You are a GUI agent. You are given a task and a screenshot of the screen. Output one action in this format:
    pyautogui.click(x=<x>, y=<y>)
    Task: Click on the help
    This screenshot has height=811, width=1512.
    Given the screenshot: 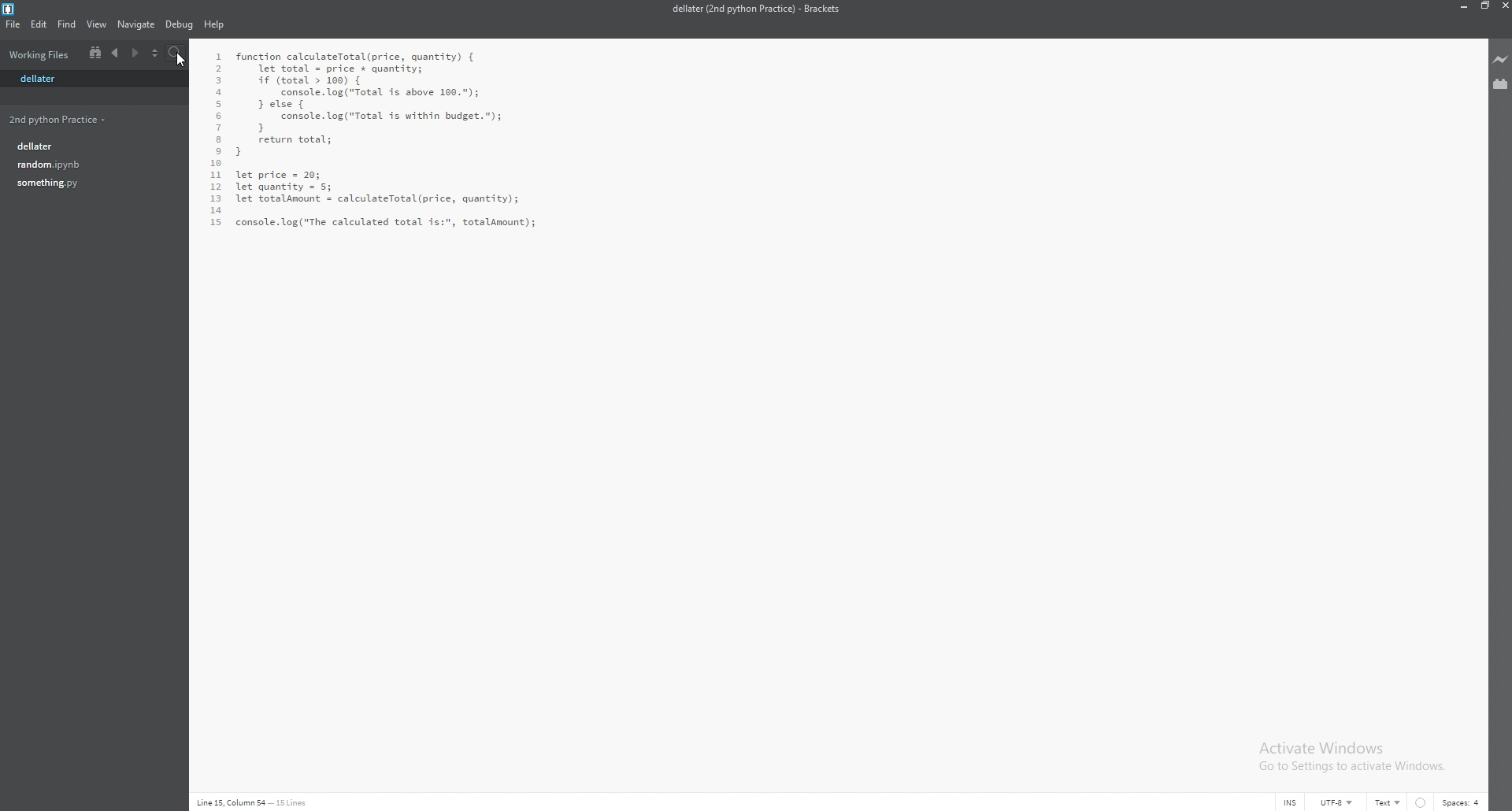 What is the action you would take?
    pyautogui.click(x=216, y=24)
    